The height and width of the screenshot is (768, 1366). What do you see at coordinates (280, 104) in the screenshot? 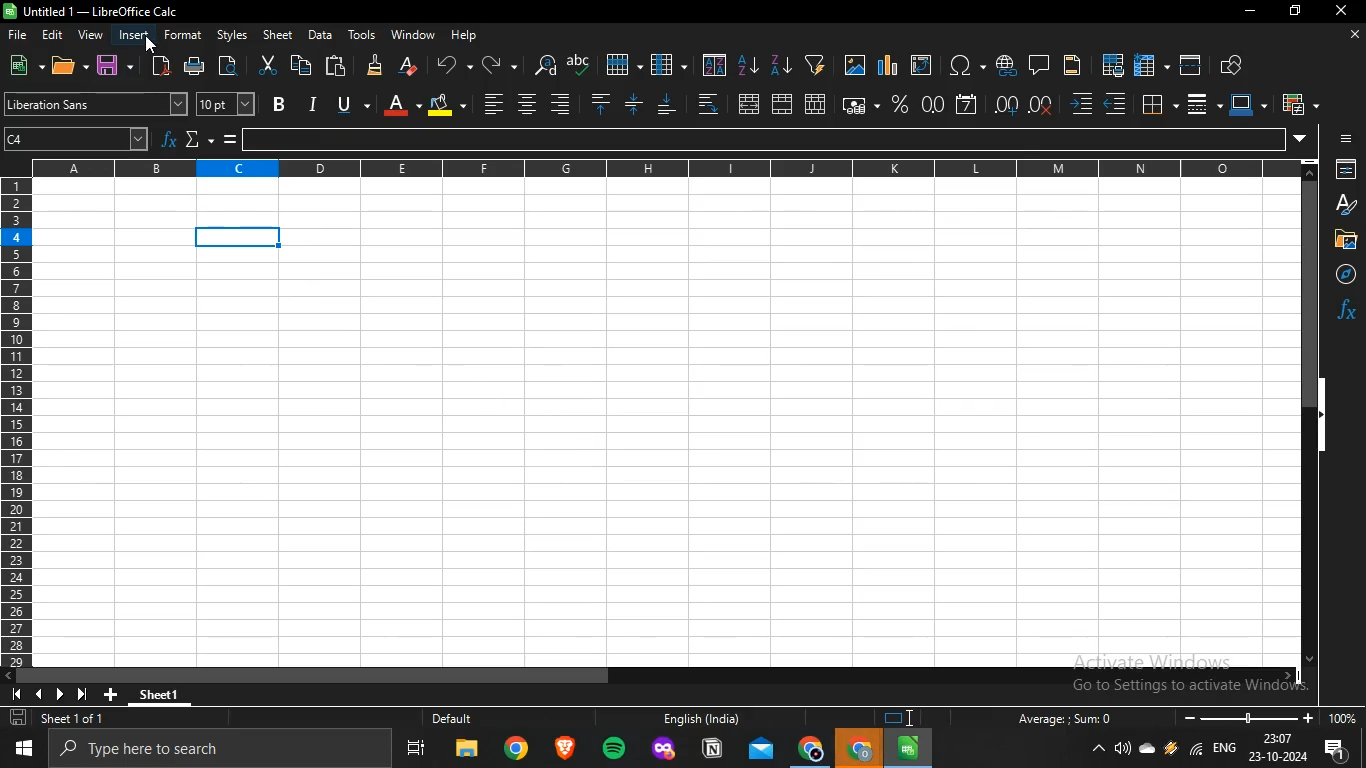
I see `bold` at bounding box center [280, 104].